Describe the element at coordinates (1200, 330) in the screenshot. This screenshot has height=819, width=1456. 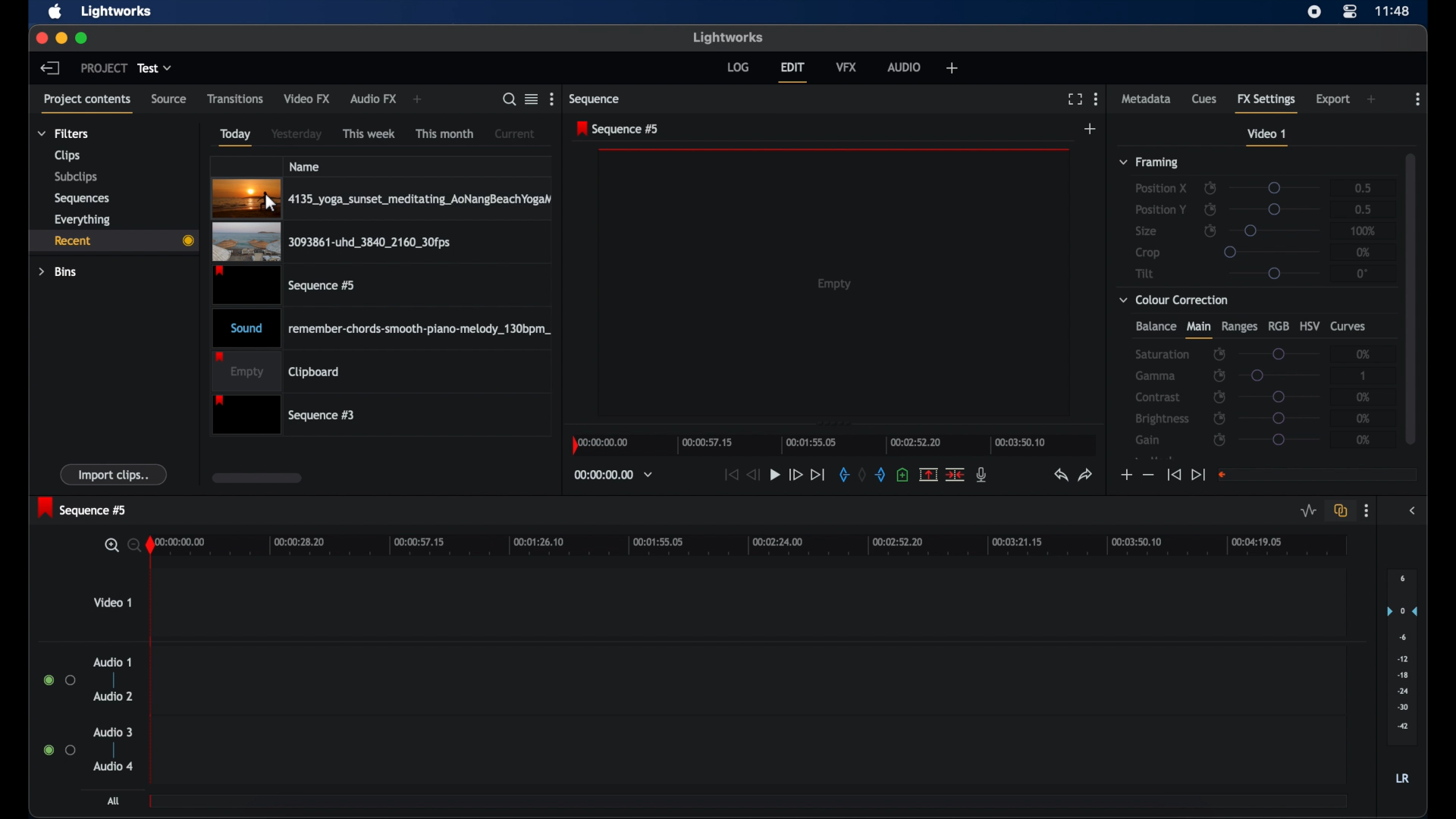
I see `` at that location.